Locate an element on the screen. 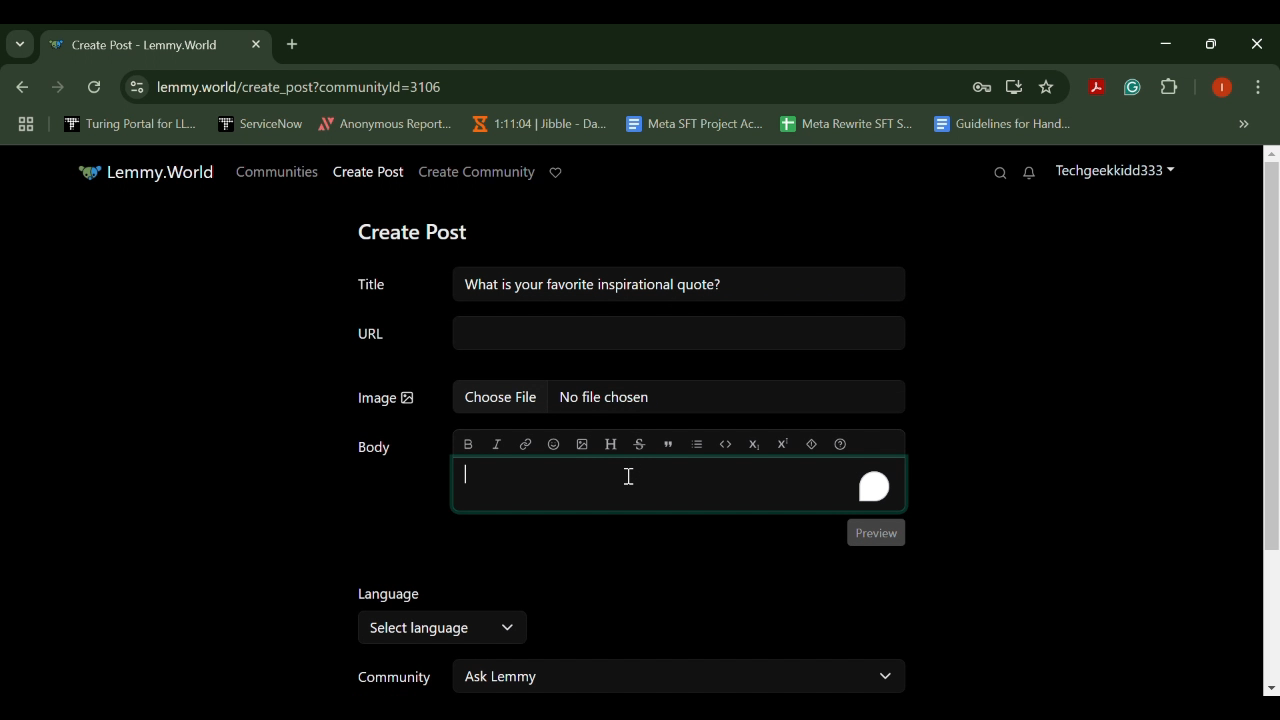 The height and width of the screenshot is (720, 1280). Options is located at coordinates (1258, 89).